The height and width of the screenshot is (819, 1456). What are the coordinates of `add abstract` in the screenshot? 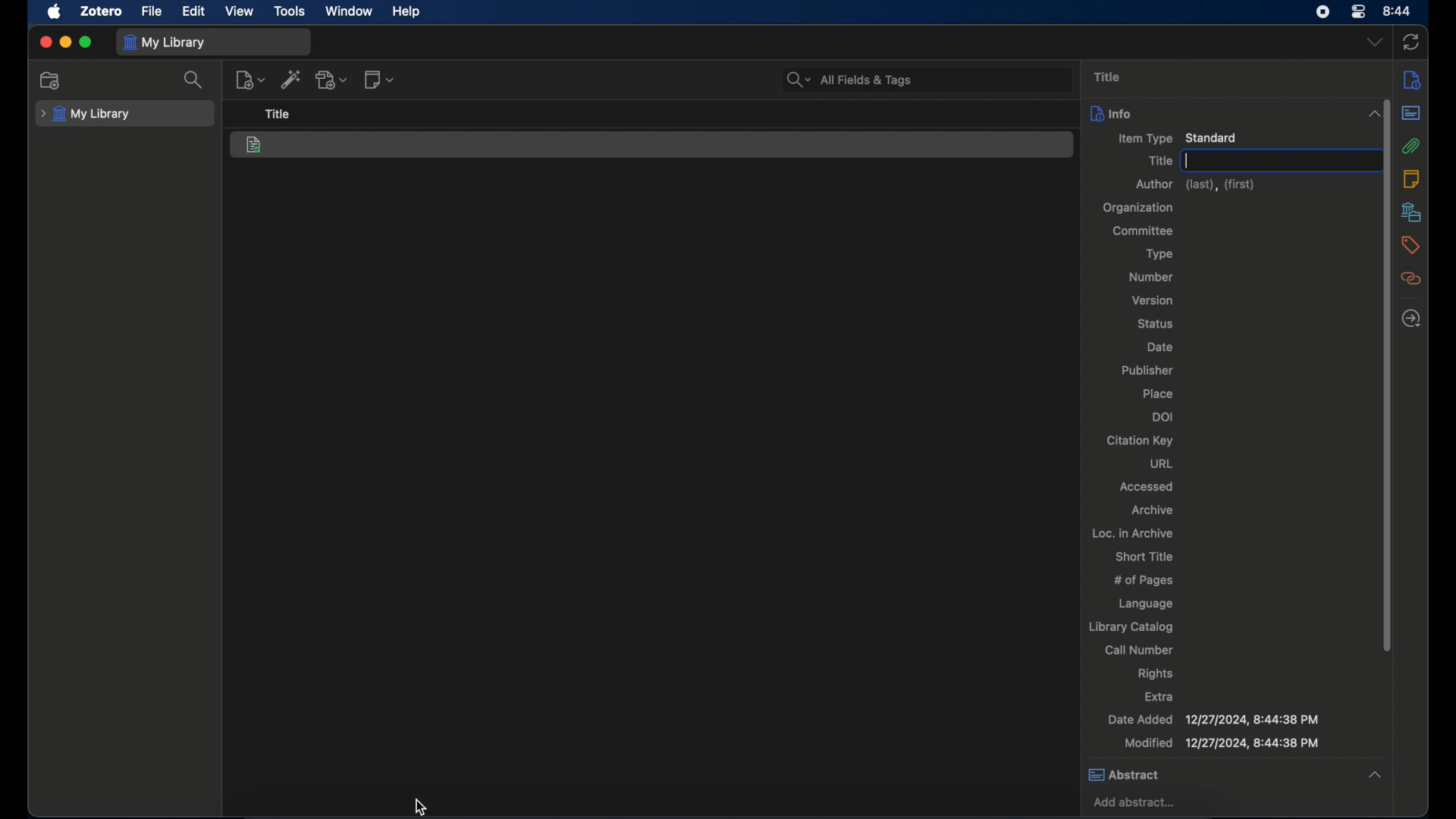 It's located at (1137, 803).